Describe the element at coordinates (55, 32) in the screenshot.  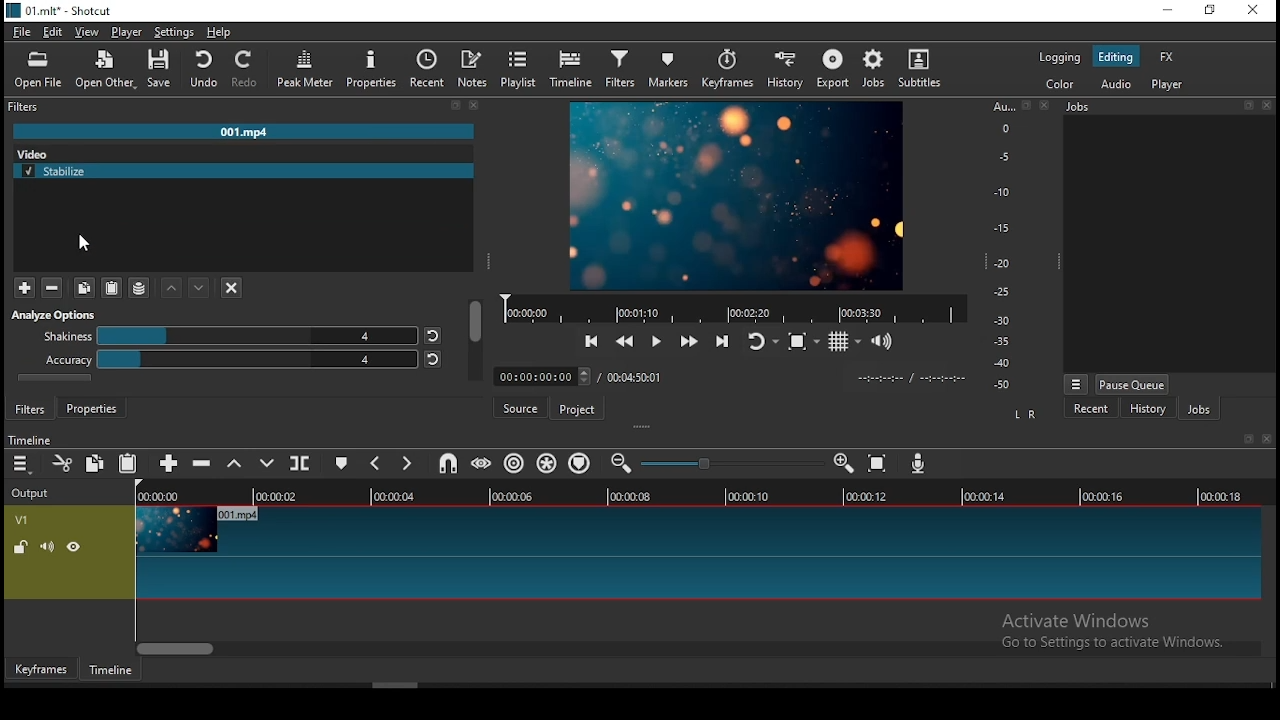
I see `edit` at that location.